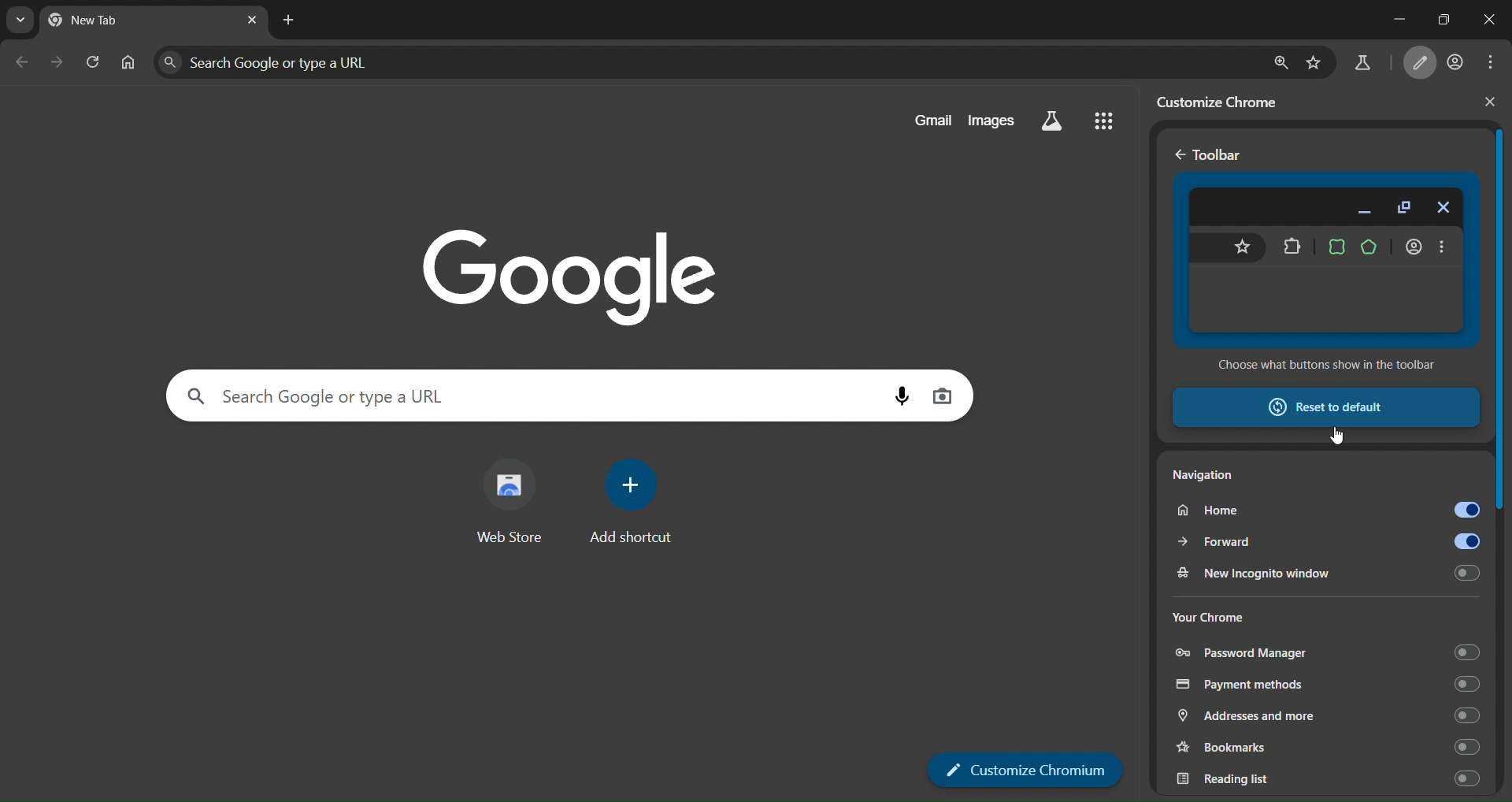  Describe the element at coordinates (1268, 614) in the screenshot. I see `your chrome` at that location.